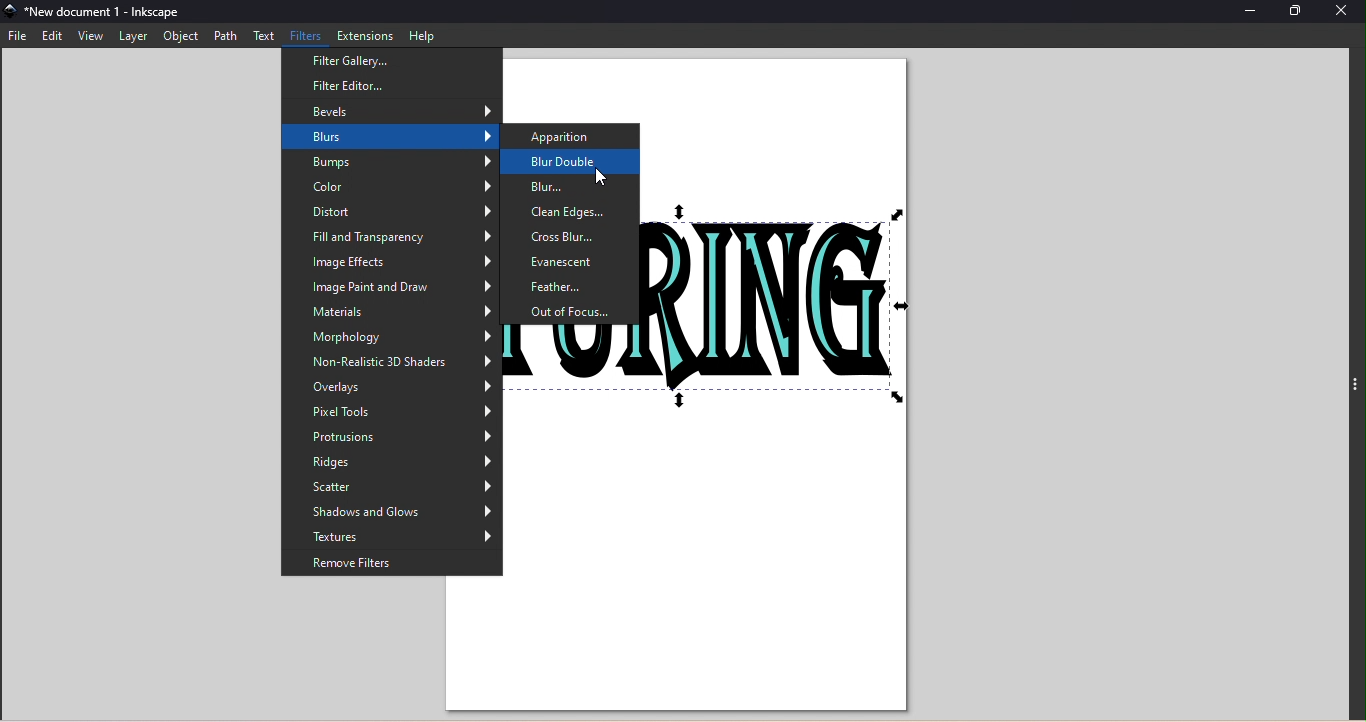 This screenshot has width=1366, height=722. What do you see at coordinates (393, 365) in the screenshot?
I see `Non-realistic 3D shaders` at bounding box center [393, 365].